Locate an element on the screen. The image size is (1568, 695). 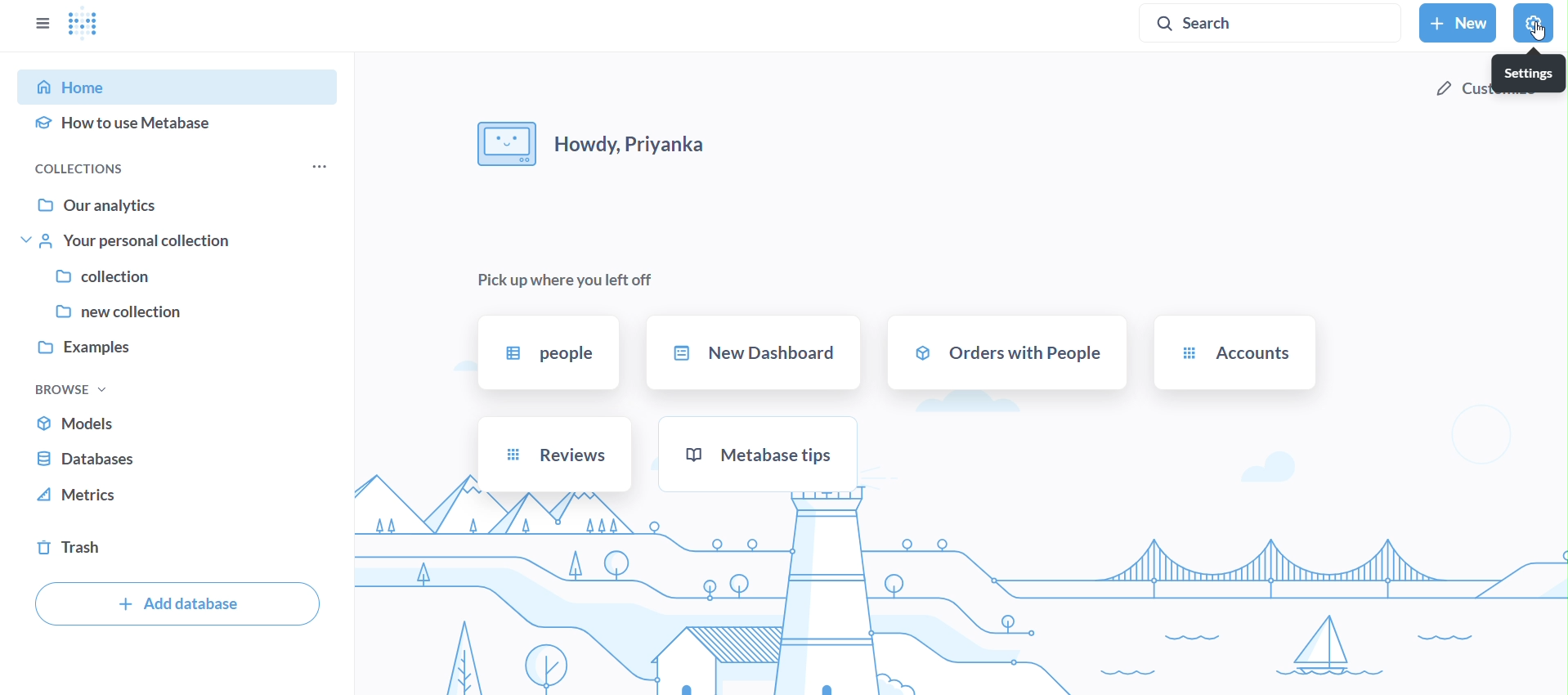
new is located at coordinates (1457, 24).